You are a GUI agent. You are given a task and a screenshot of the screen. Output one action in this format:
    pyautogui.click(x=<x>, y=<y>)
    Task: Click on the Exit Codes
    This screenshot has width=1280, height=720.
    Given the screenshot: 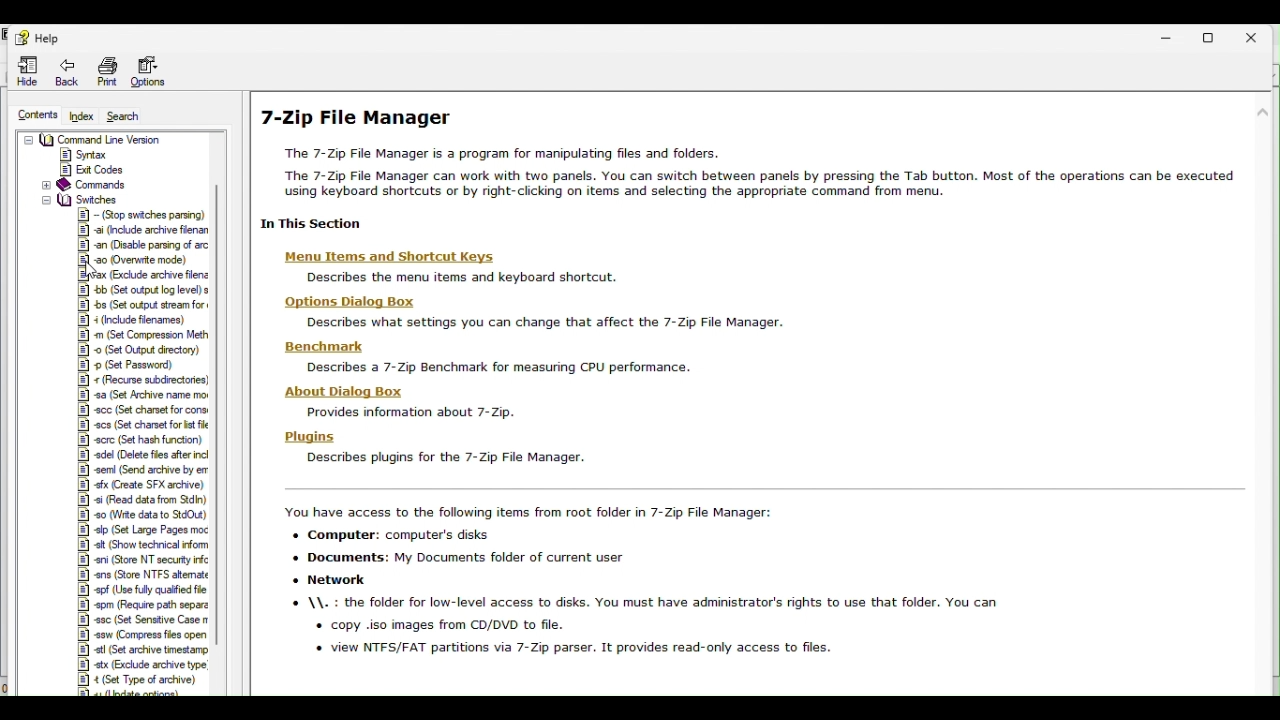 What is the action you would take?
    pyautogui.click(x=98, y=169)
    